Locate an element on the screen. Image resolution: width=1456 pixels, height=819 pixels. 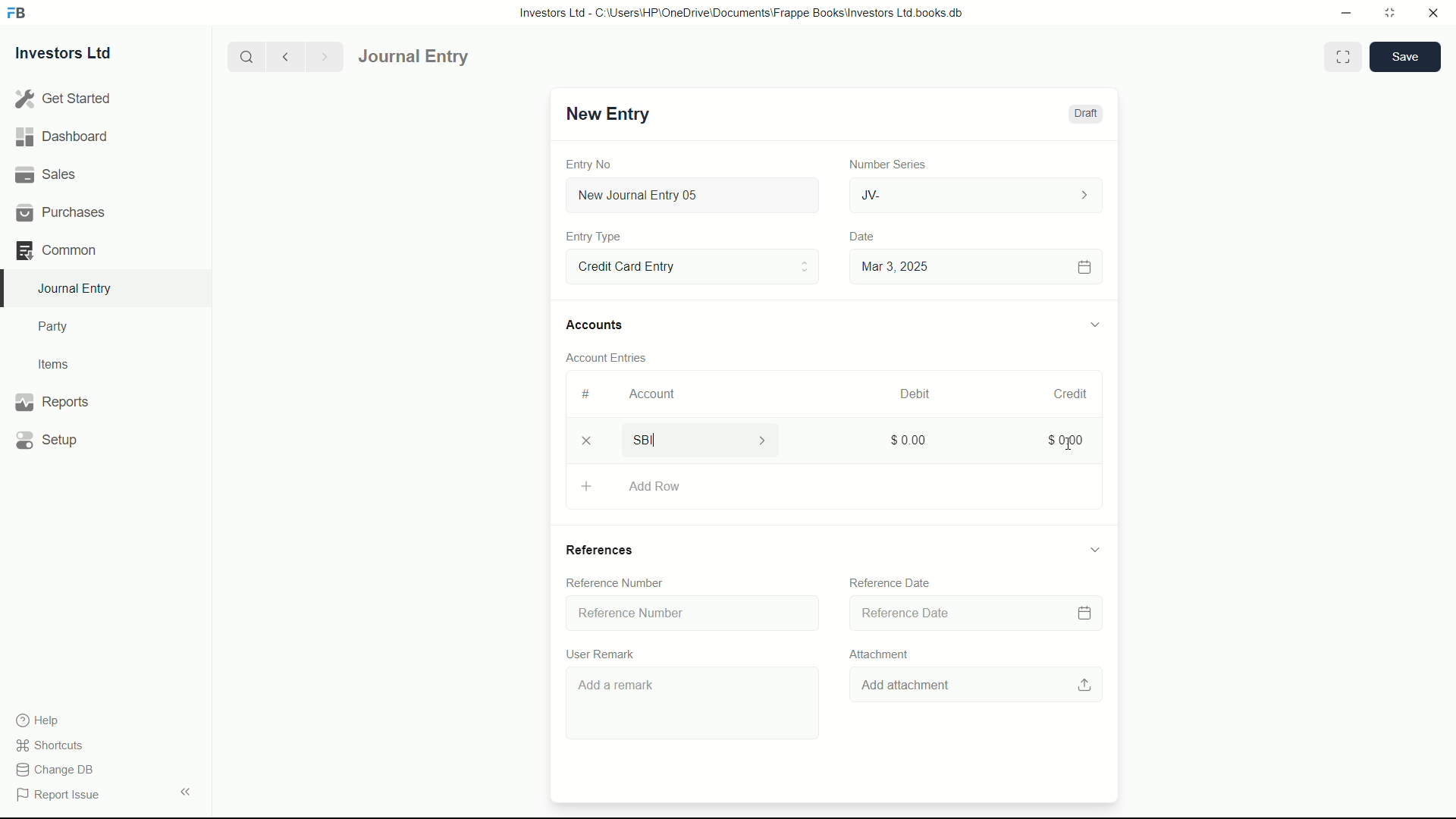
cursor is located at coordinates (1068, 446).